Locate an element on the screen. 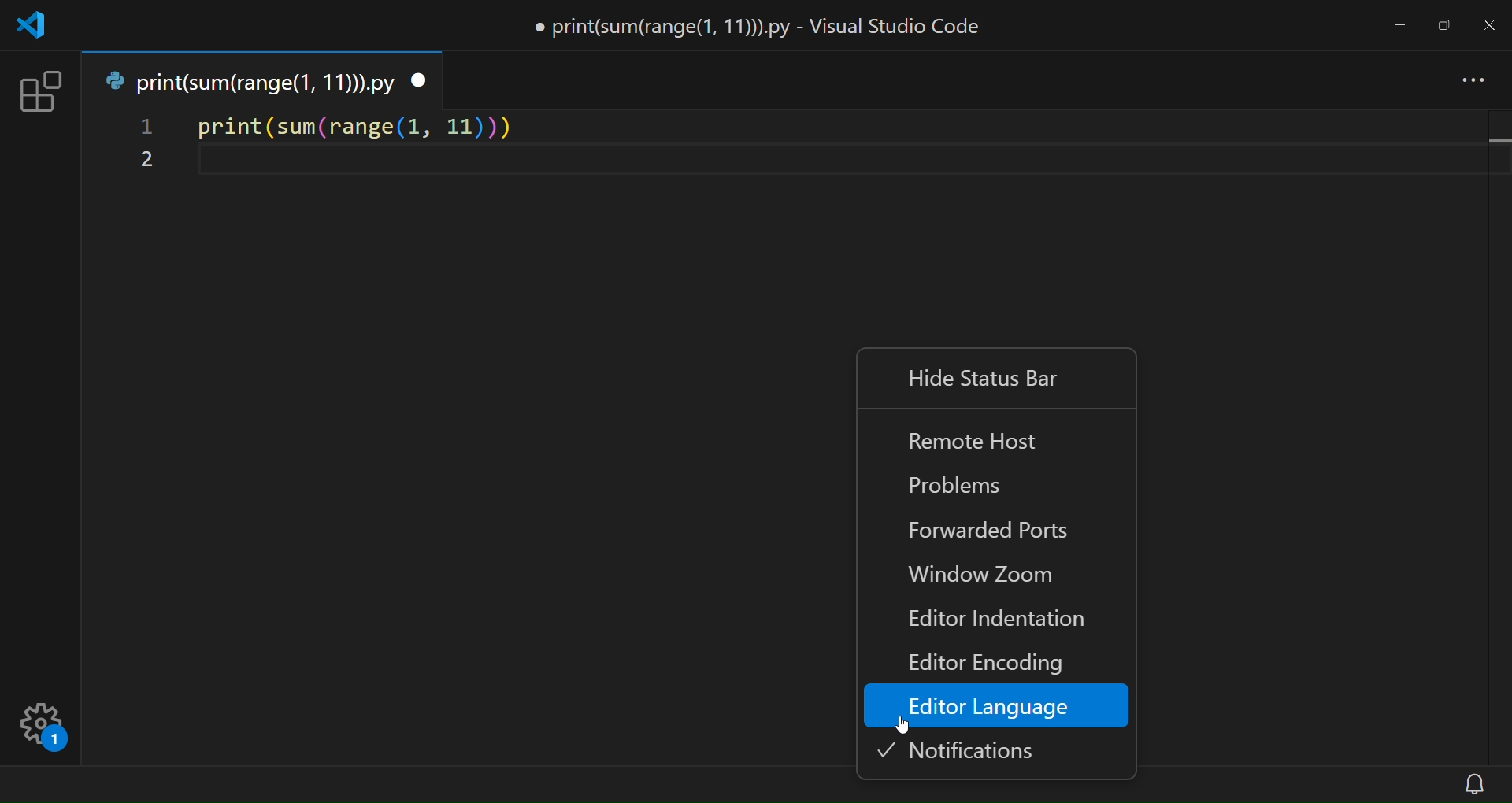 The image size is (1512, 803). hide status bar is located at coordinates (988, 378).